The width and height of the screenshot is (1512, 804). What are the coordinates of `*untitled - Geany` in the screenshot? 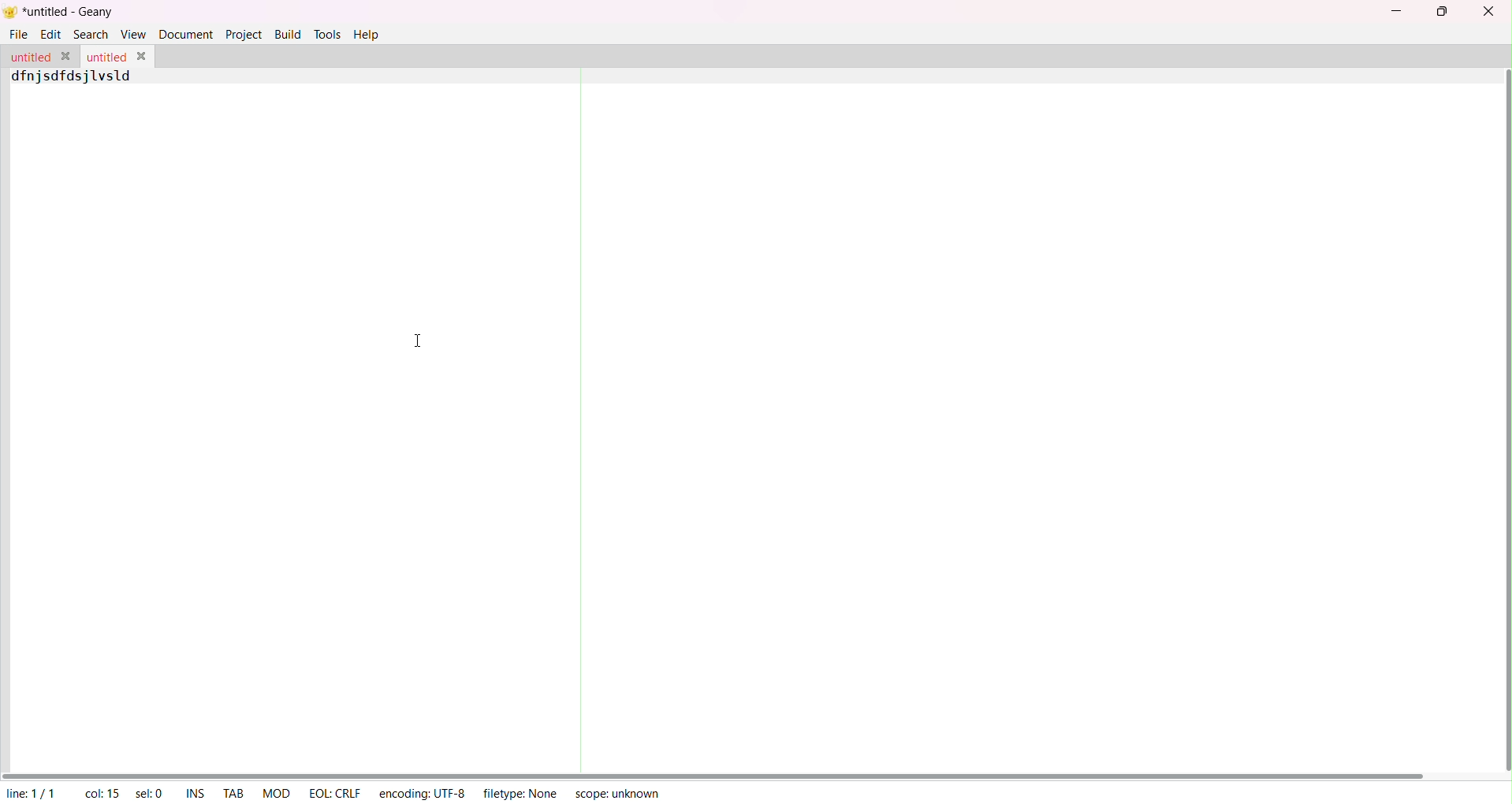 It's located at (69, 12).